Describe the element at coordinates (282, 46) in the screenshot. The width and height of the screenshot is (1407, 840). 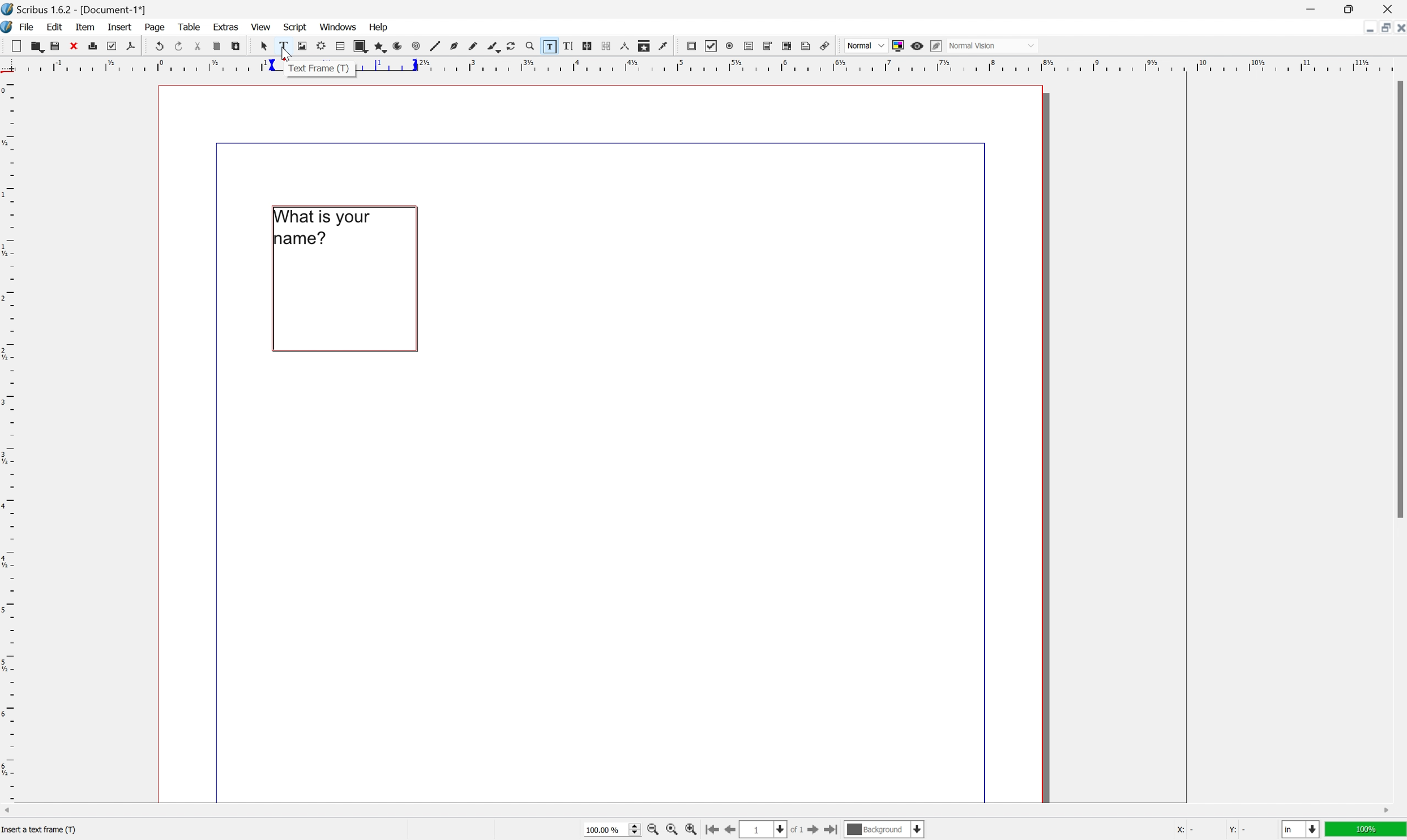
I see `text frame` at that location.